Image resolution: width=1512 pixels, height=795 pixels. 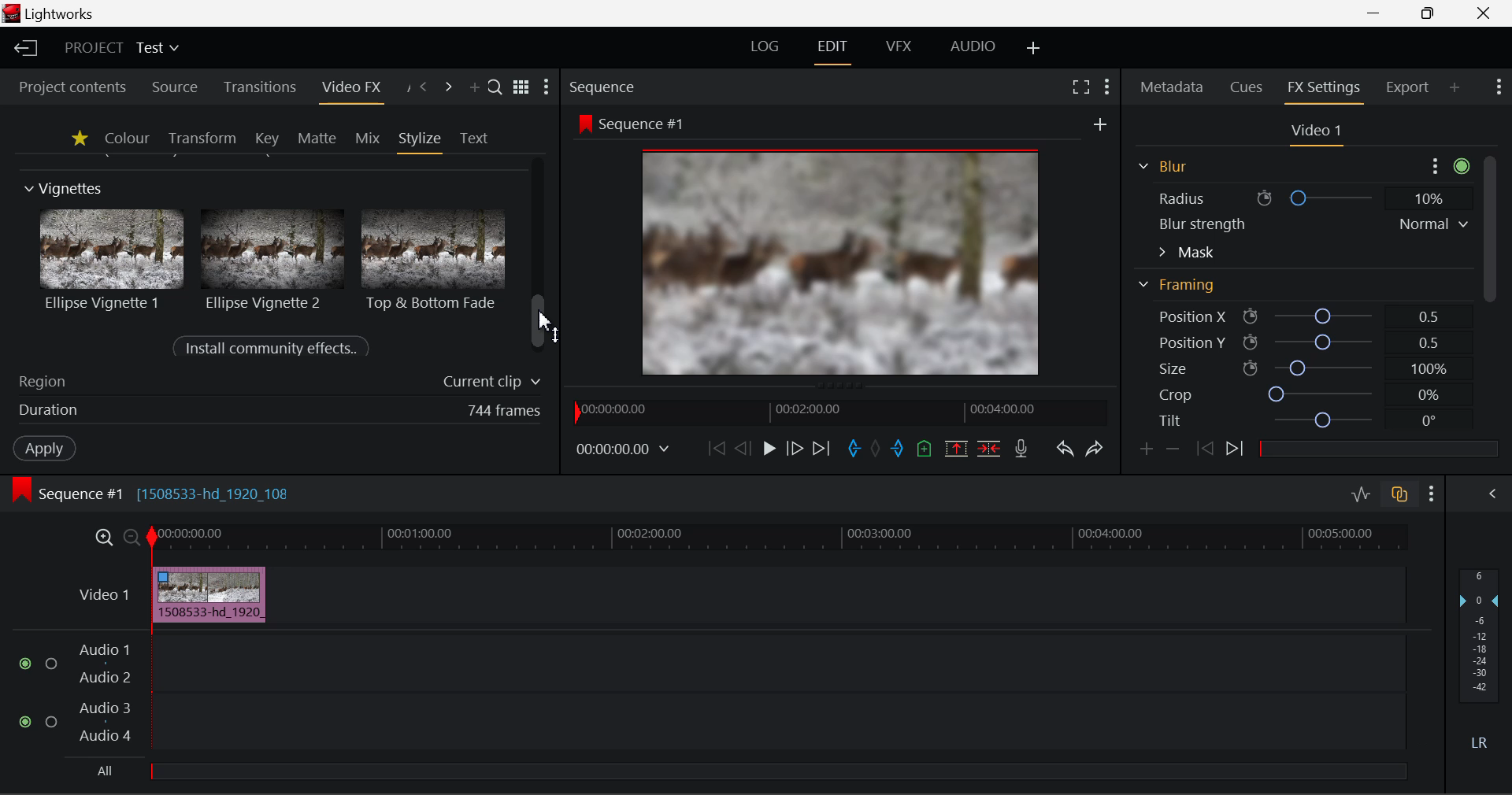 I want to click on Region of Effect, so click(x=273, y=383).